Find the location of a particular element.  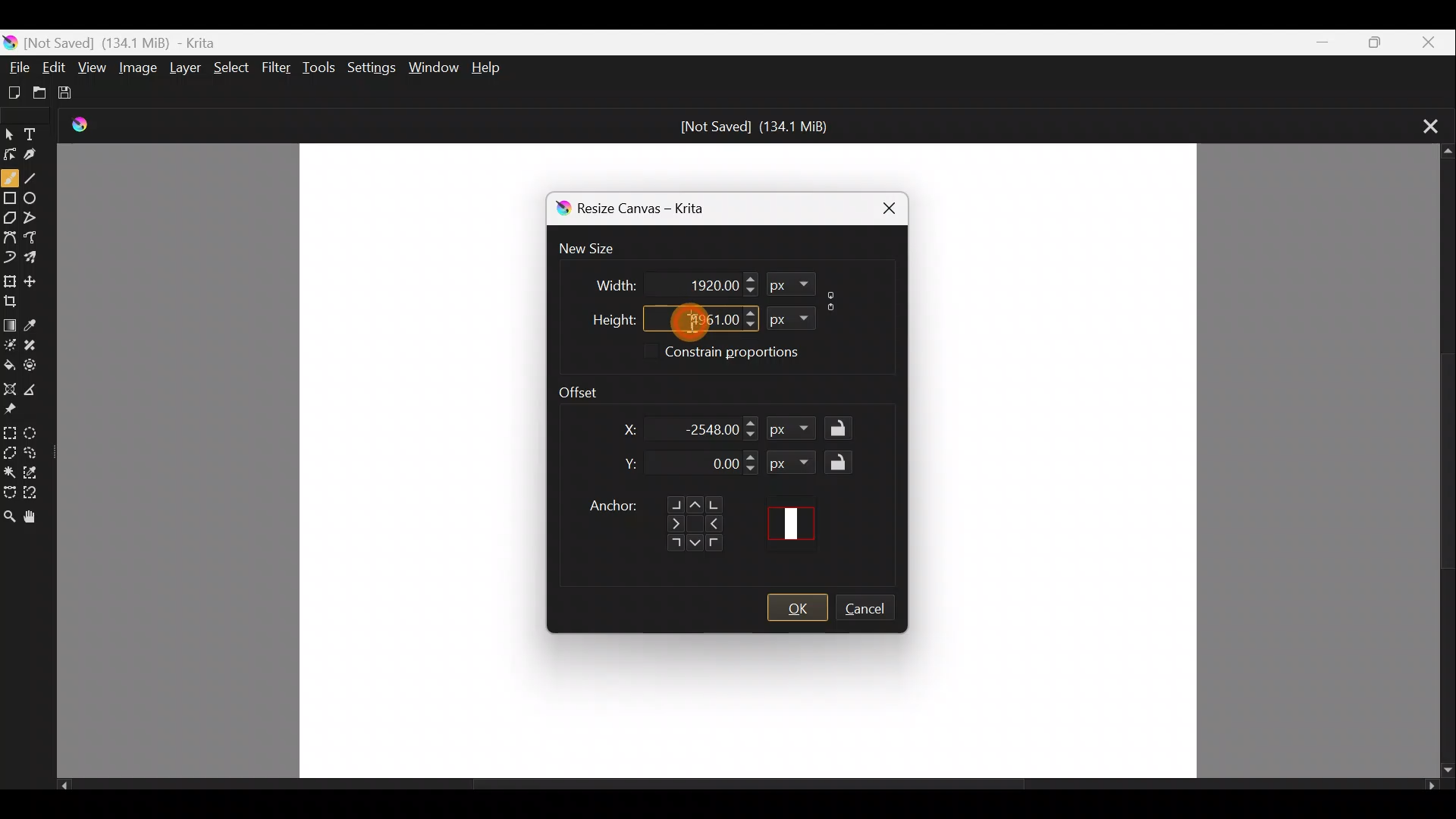

Preview is located at coordinates (796, 523).